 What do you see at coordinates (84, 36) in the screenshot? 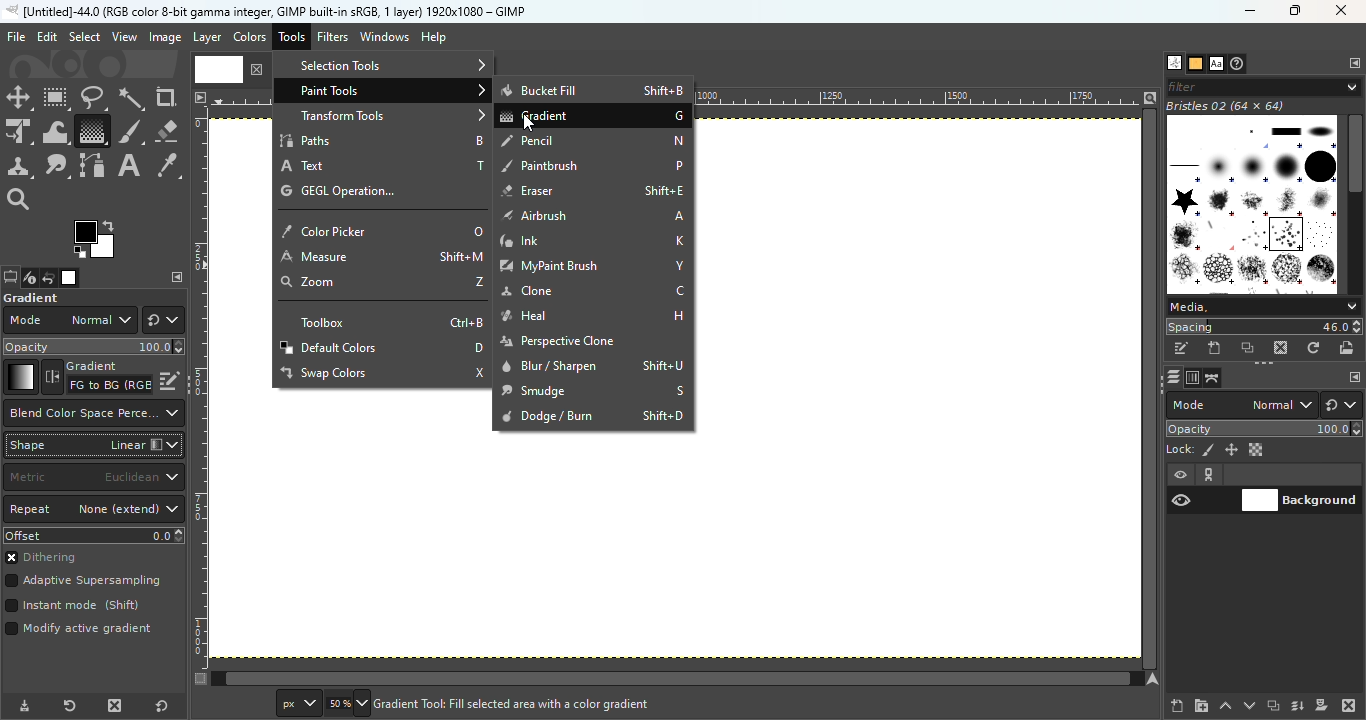
I see `Select` at bounding box center [84, 36].